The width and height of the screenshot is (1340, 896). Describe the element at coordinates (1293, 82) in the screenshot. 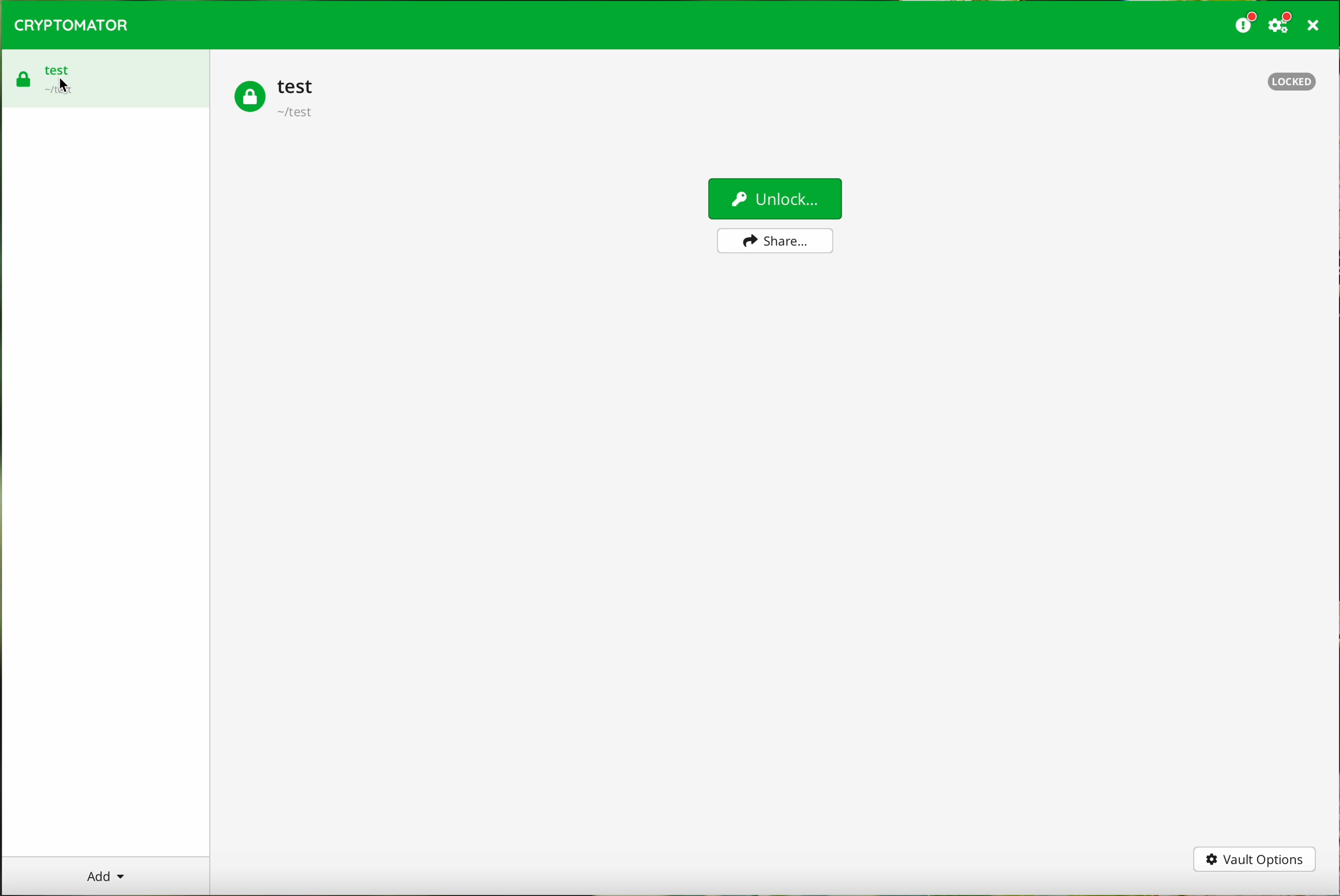

I see `locked` at that location.